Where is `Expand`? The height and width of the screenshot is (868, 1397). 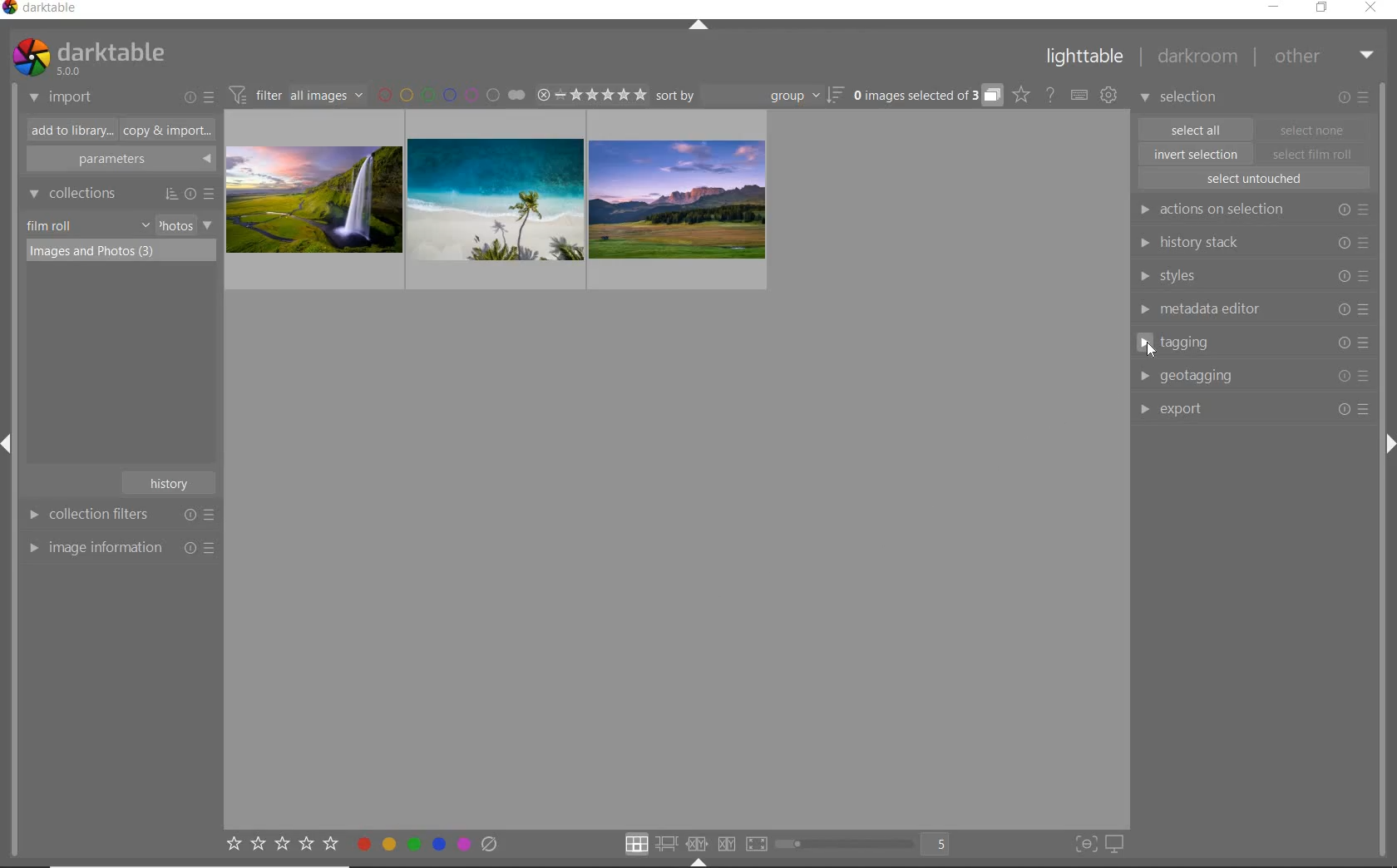
Expand is located at coordinates (11, 443).